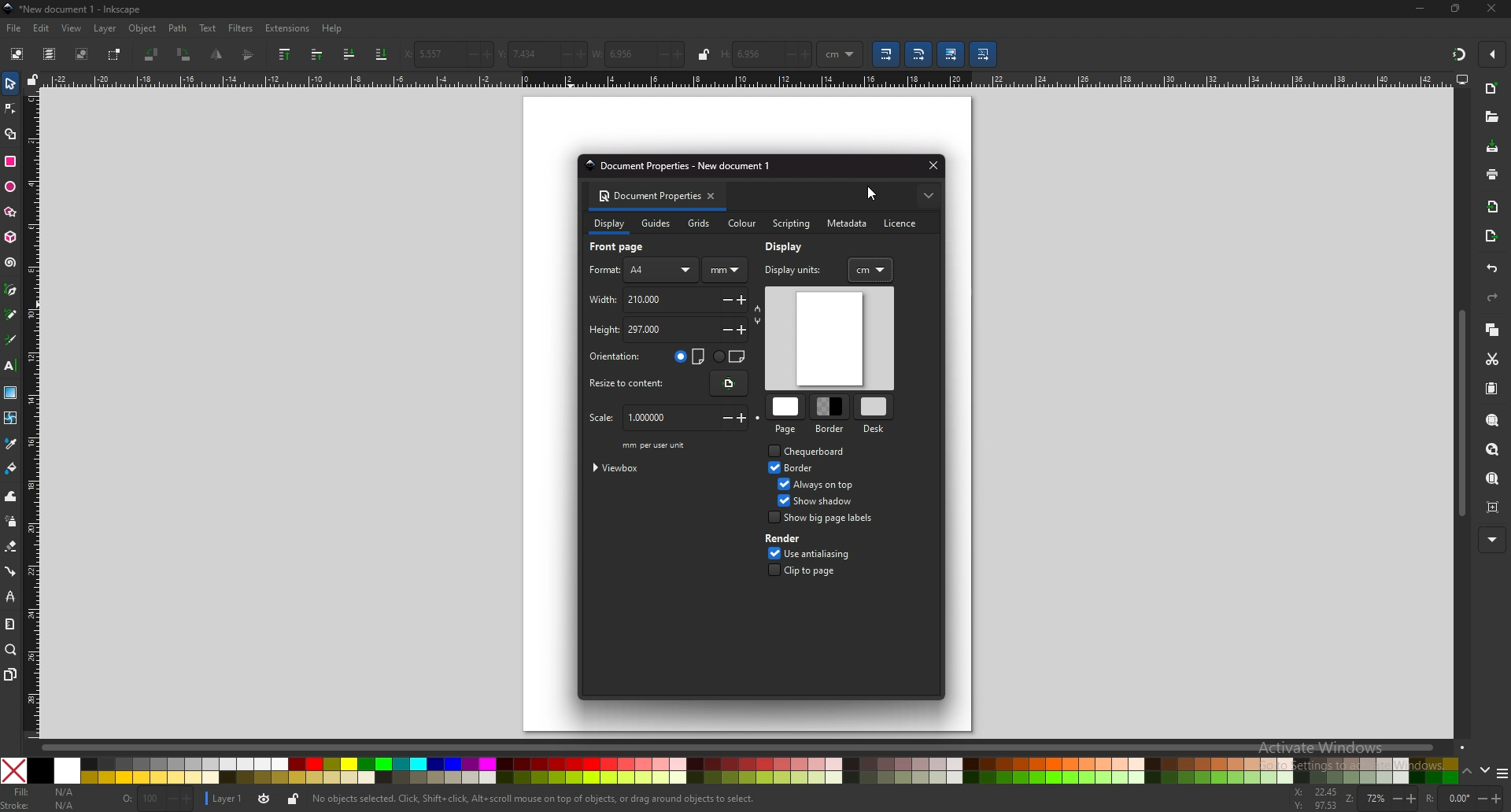 This screenshot has height=812, width=1511. What do you see at coordinates (247, 56) in the screenshot?
I see `flip vertical` at bounding box center [247, 56].